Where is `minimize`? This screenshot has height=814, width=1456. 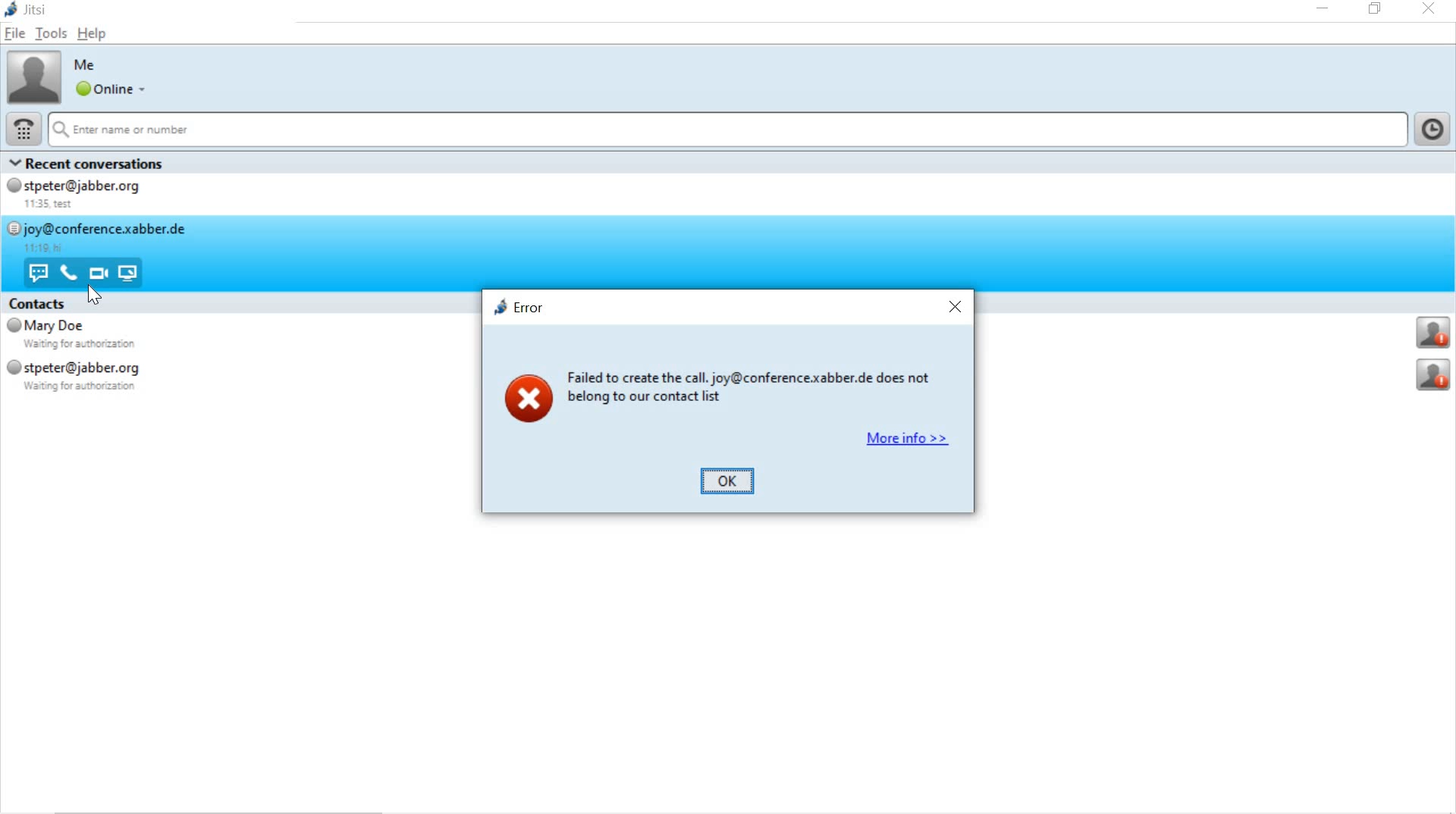 minimize is located at coordinates (1325, 8).